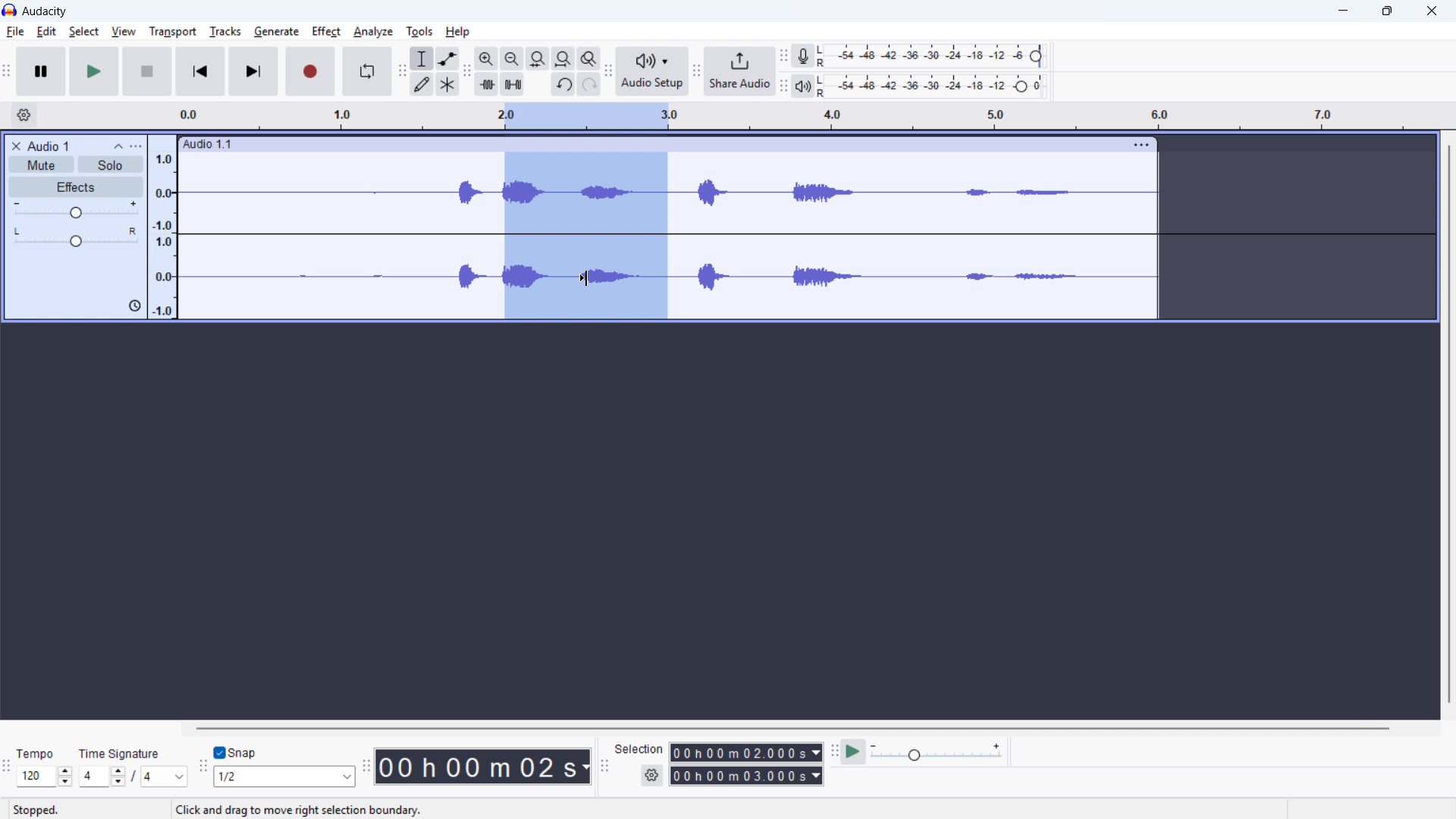  Describe the element at coordinates (512, 84) in the screenshot. I see `Silence audio selection` at that location.